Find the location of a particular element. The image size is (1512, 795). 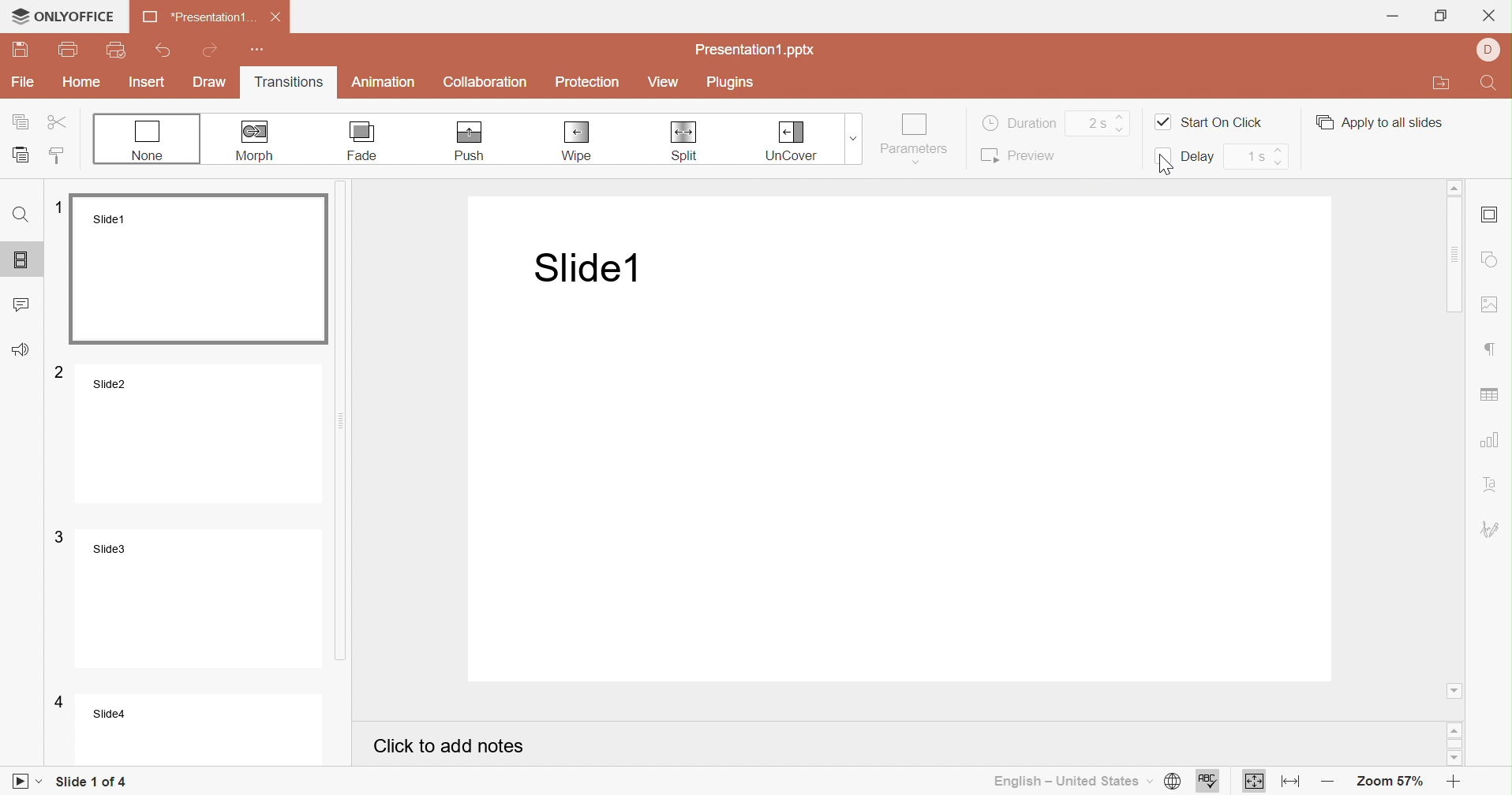

1s is located at coordinates (1255, 155).